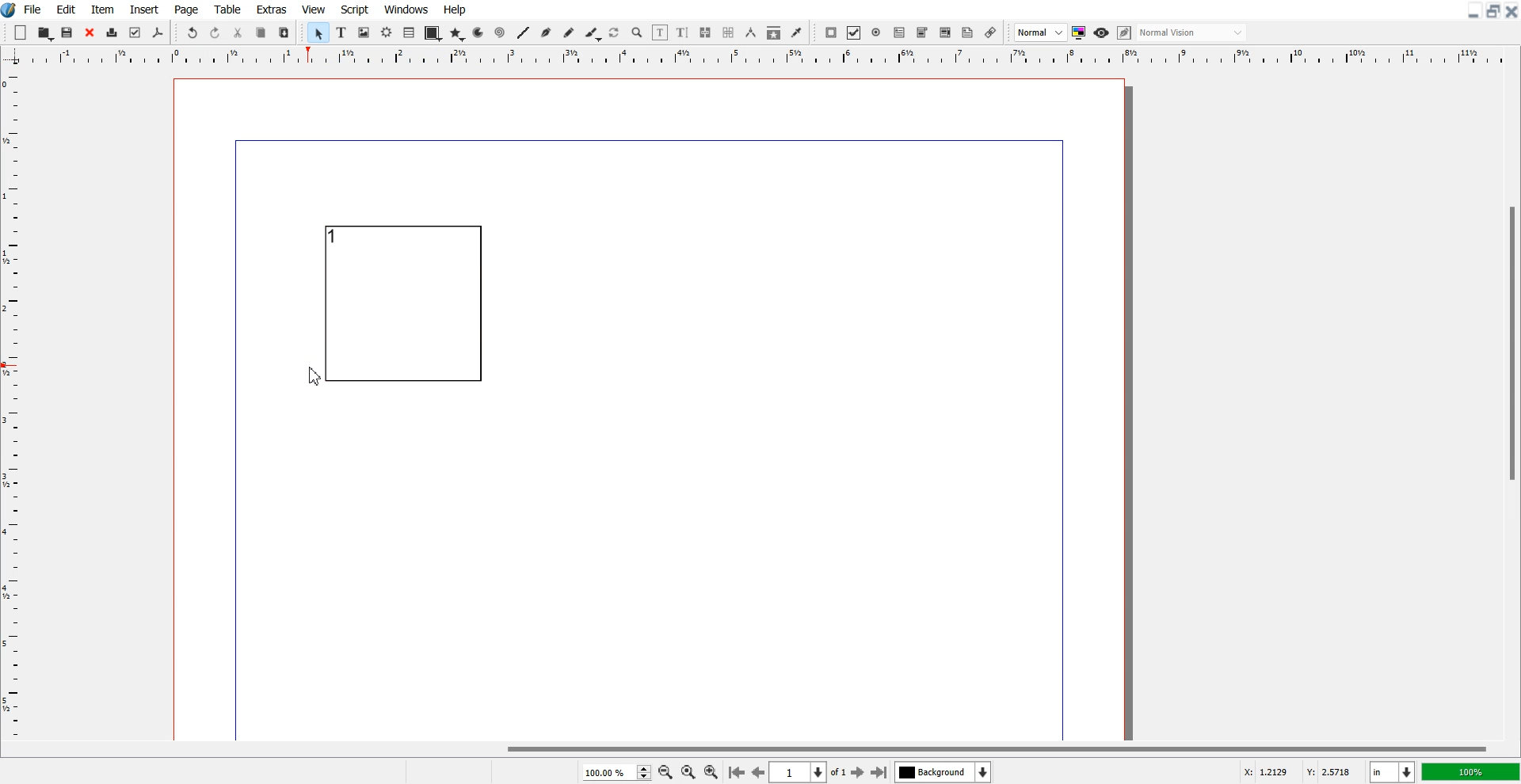 Image resolution: width=1521 pixels, height=784 pixels. Describe the element at coordinates (387, 32) in the screenshot. I see `Render frame` at that location.